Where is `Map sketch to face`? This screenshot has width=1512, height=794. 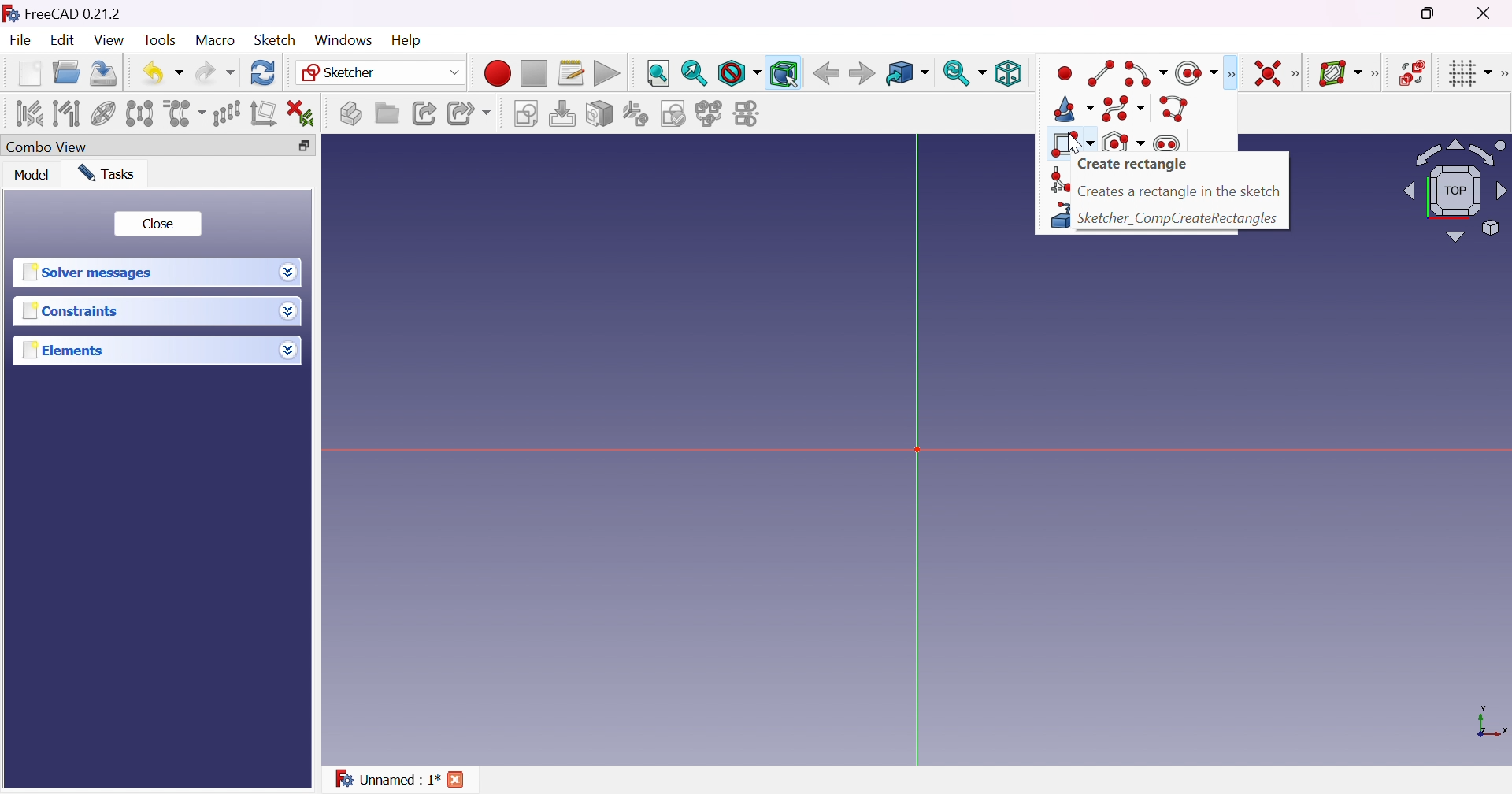
Map sketch to face is located at coordinates (598, 113).